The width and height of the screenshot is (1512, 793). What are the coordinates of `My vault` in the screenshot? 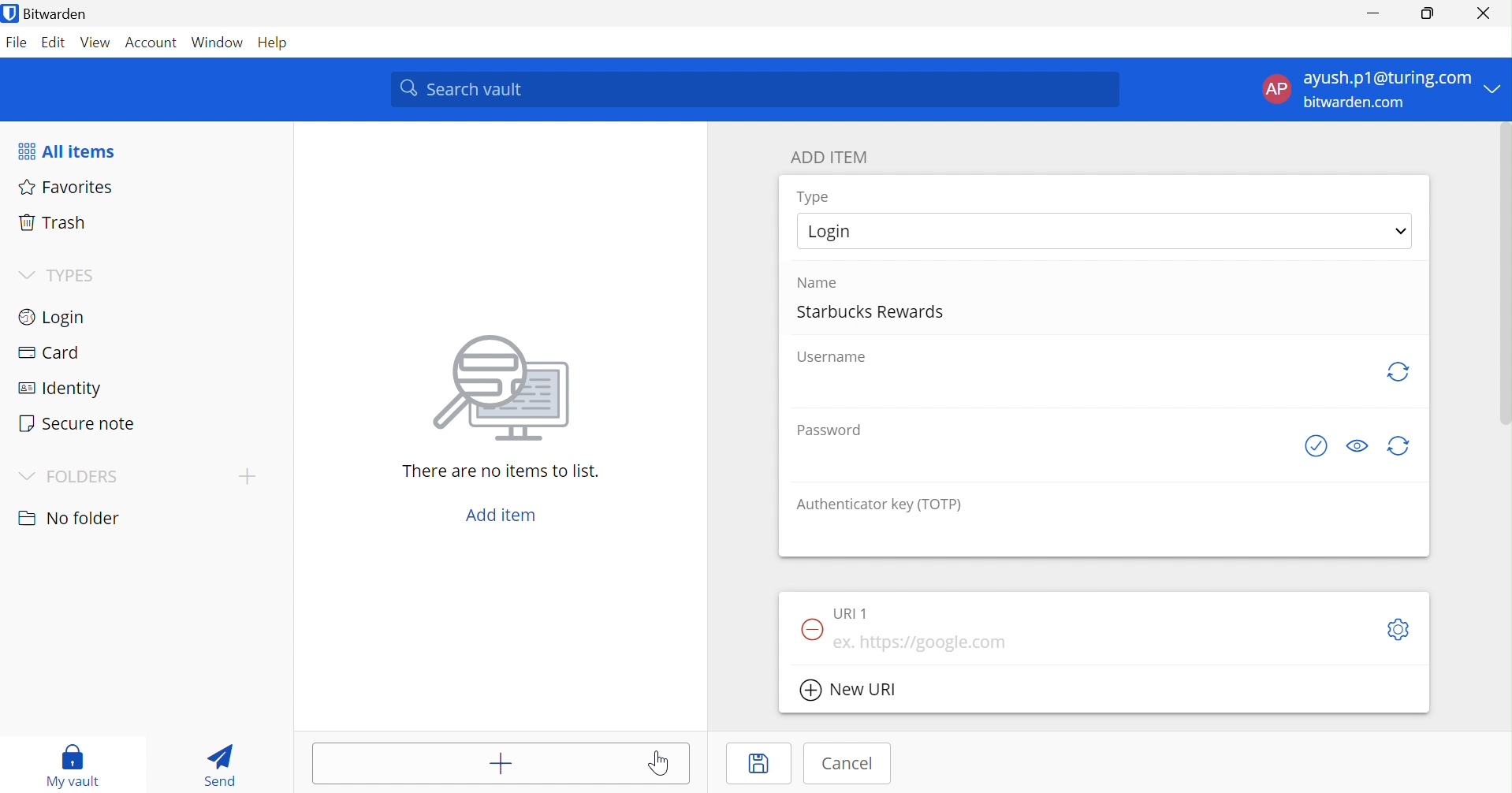 It's located at (77, 766).